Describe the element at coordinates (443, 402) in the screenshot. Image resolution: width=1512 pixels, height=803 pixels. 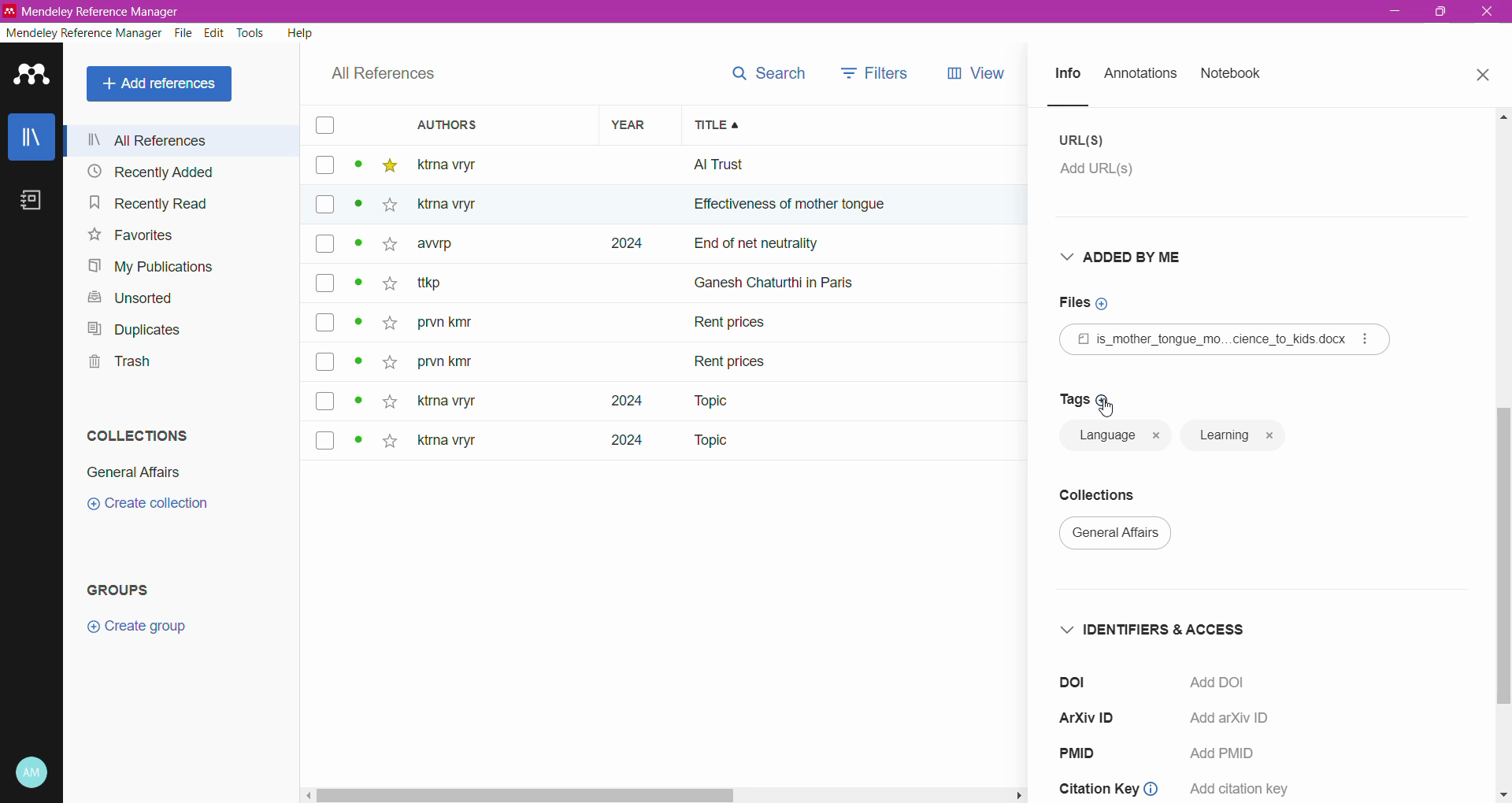
I see `ktna vryt ` at that location.